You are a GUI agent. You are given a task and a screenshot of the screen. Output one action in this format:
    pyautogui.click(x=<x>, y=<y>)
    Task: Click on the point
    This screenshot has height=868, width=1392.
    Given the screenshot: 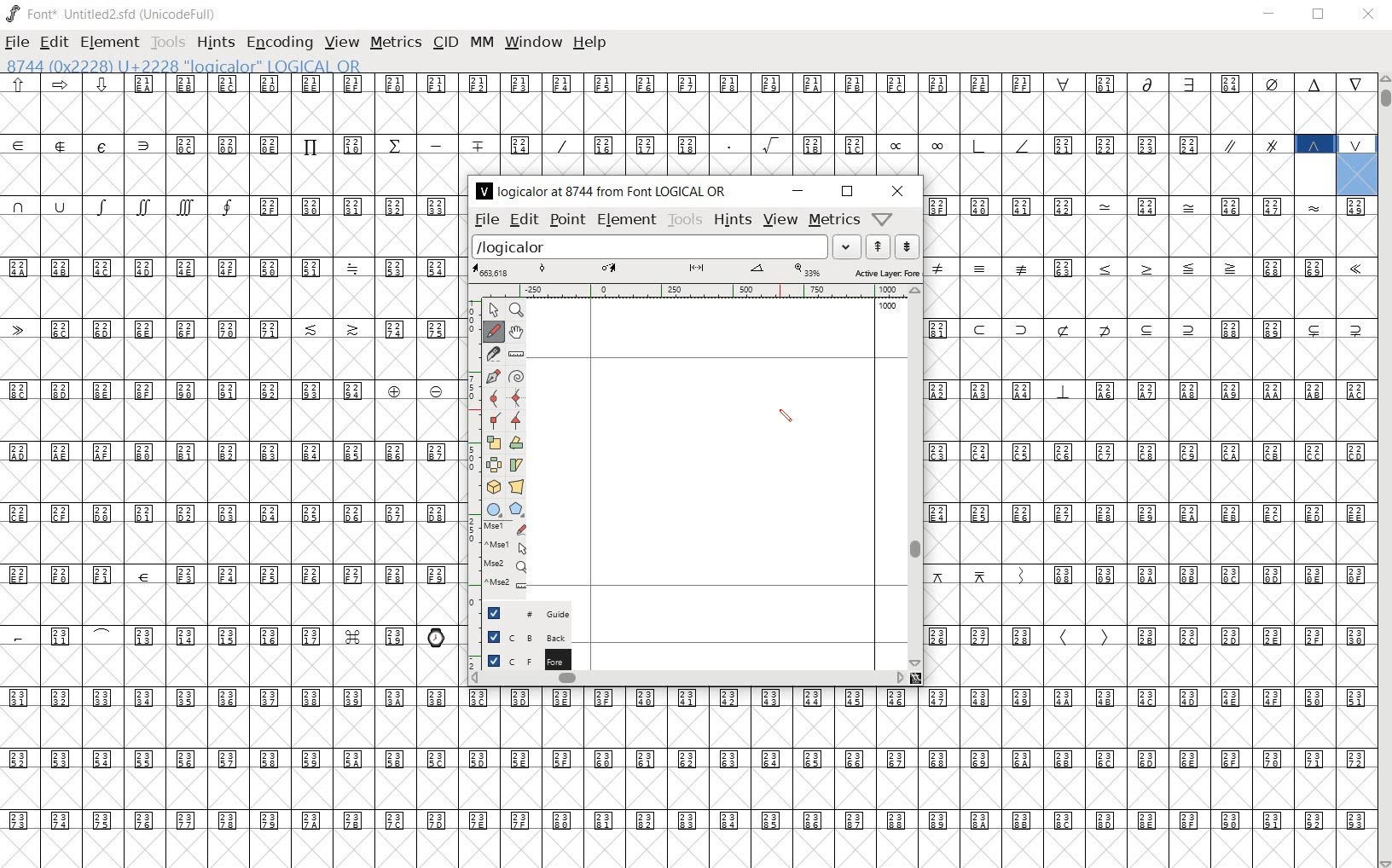 What is the action you would take?
    pyautogui.click(x=566, y=220)
    